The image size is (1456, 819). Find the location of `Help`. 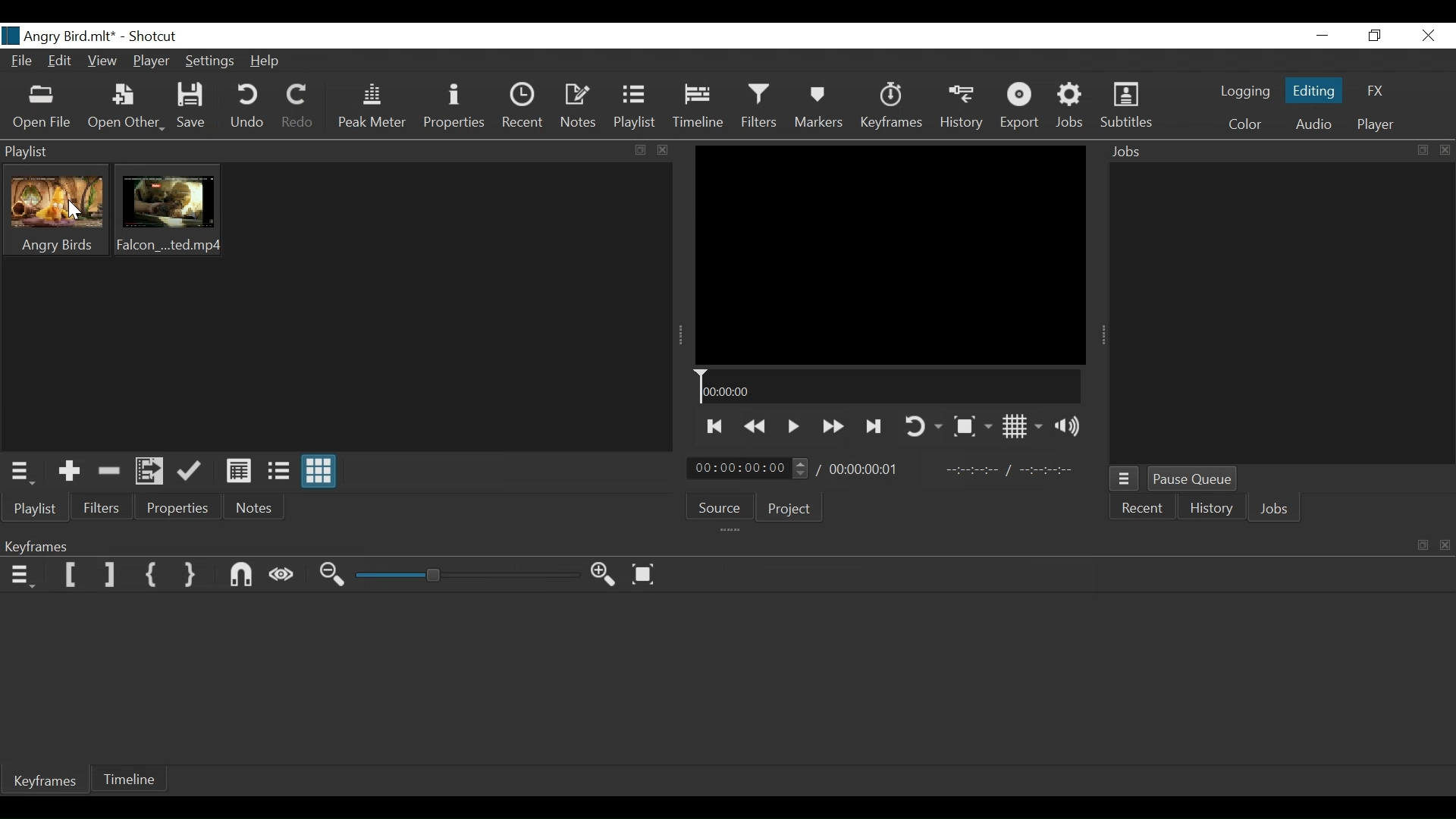

Help is located at coordinates (266, 61).